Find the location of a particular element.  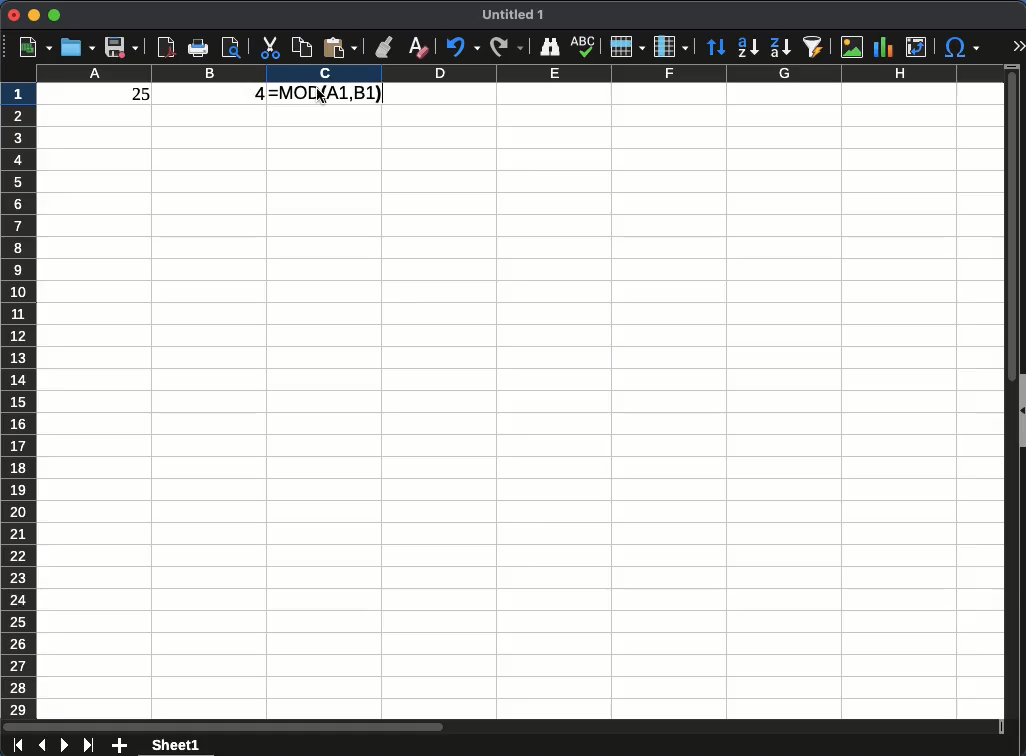

clone formatting is located at coordinates (383, 46).